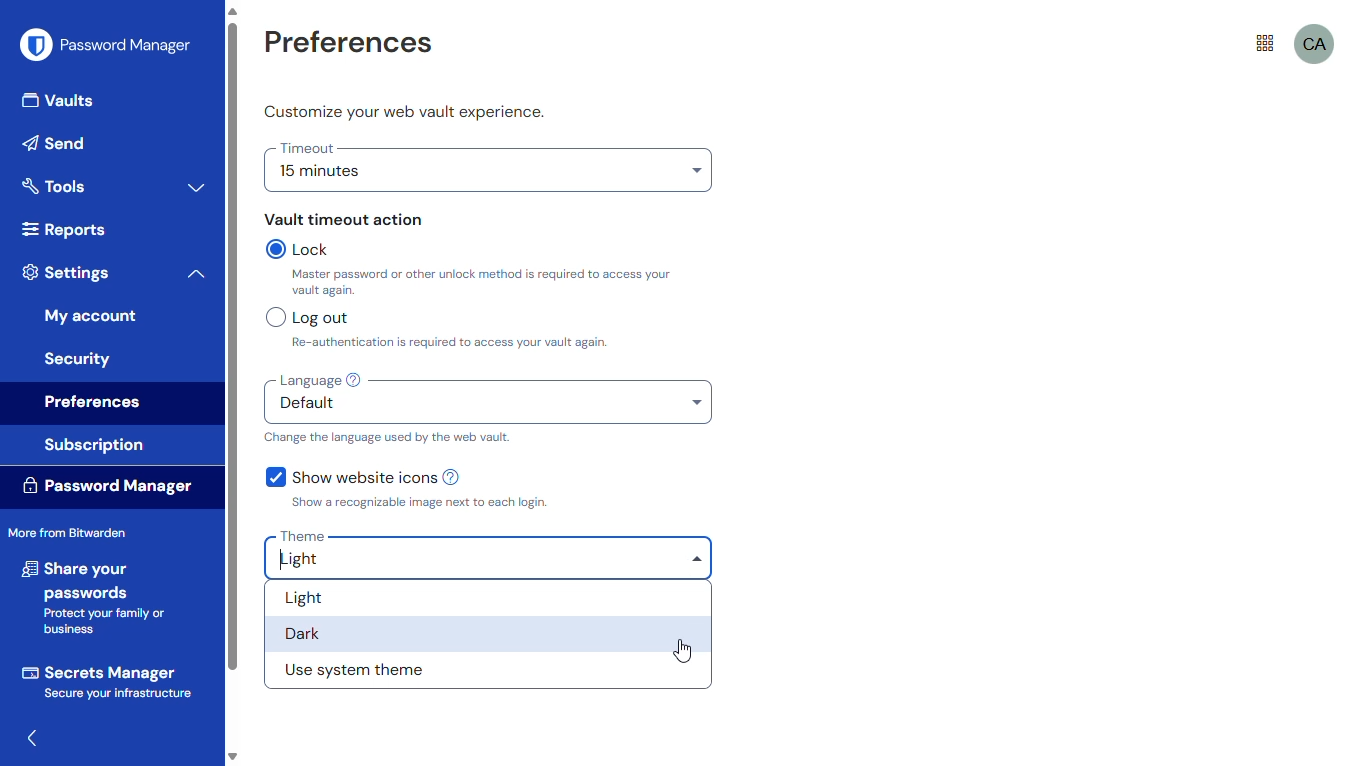 The image size is (1366, 766). What do you see at coordinates (490, 561) in the screenshot?
I see `light` at bounding box center [490, 561].